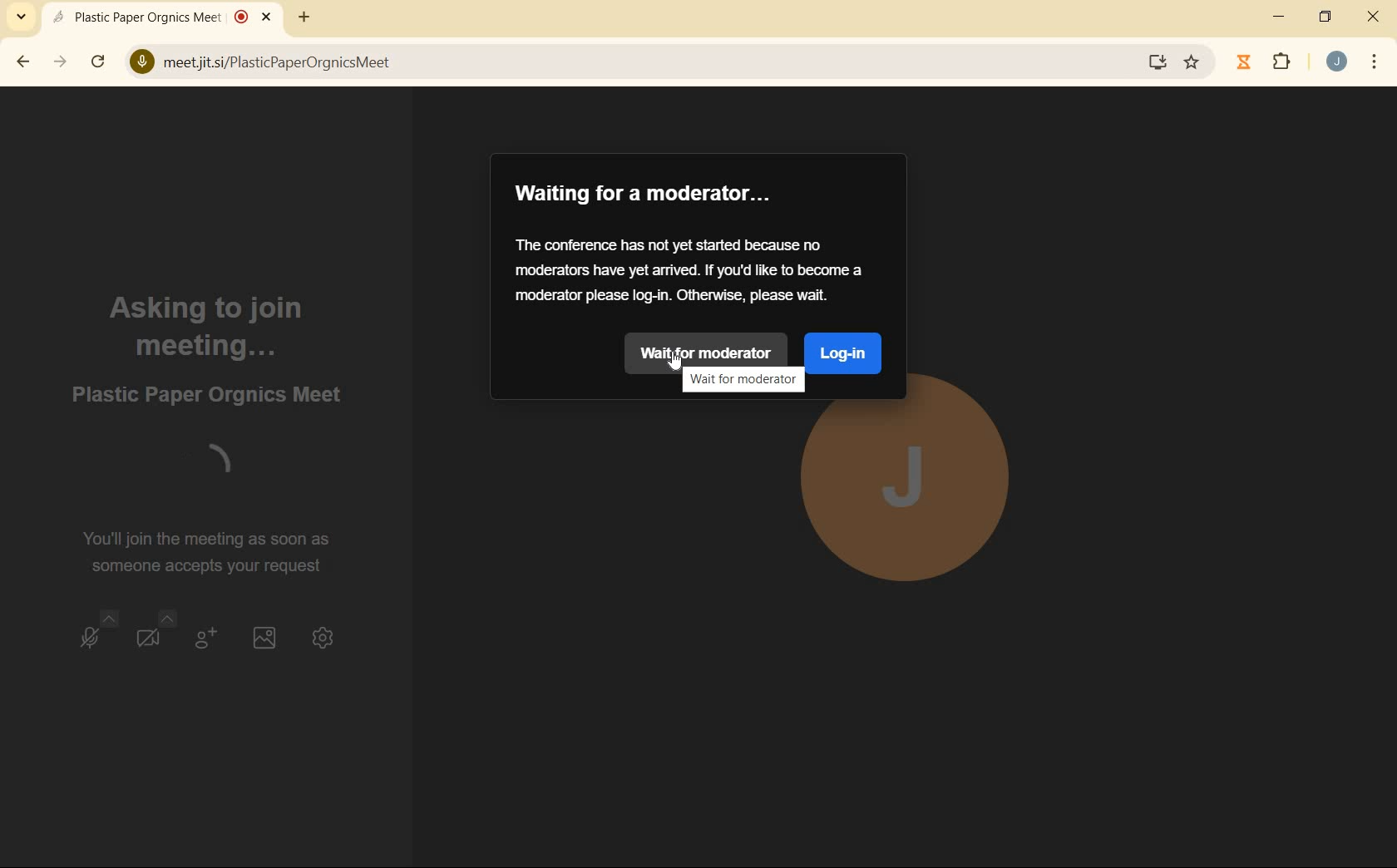  Describe the element at coordinates (1282, 63) in the screenshot. I see `extensions` at that location.